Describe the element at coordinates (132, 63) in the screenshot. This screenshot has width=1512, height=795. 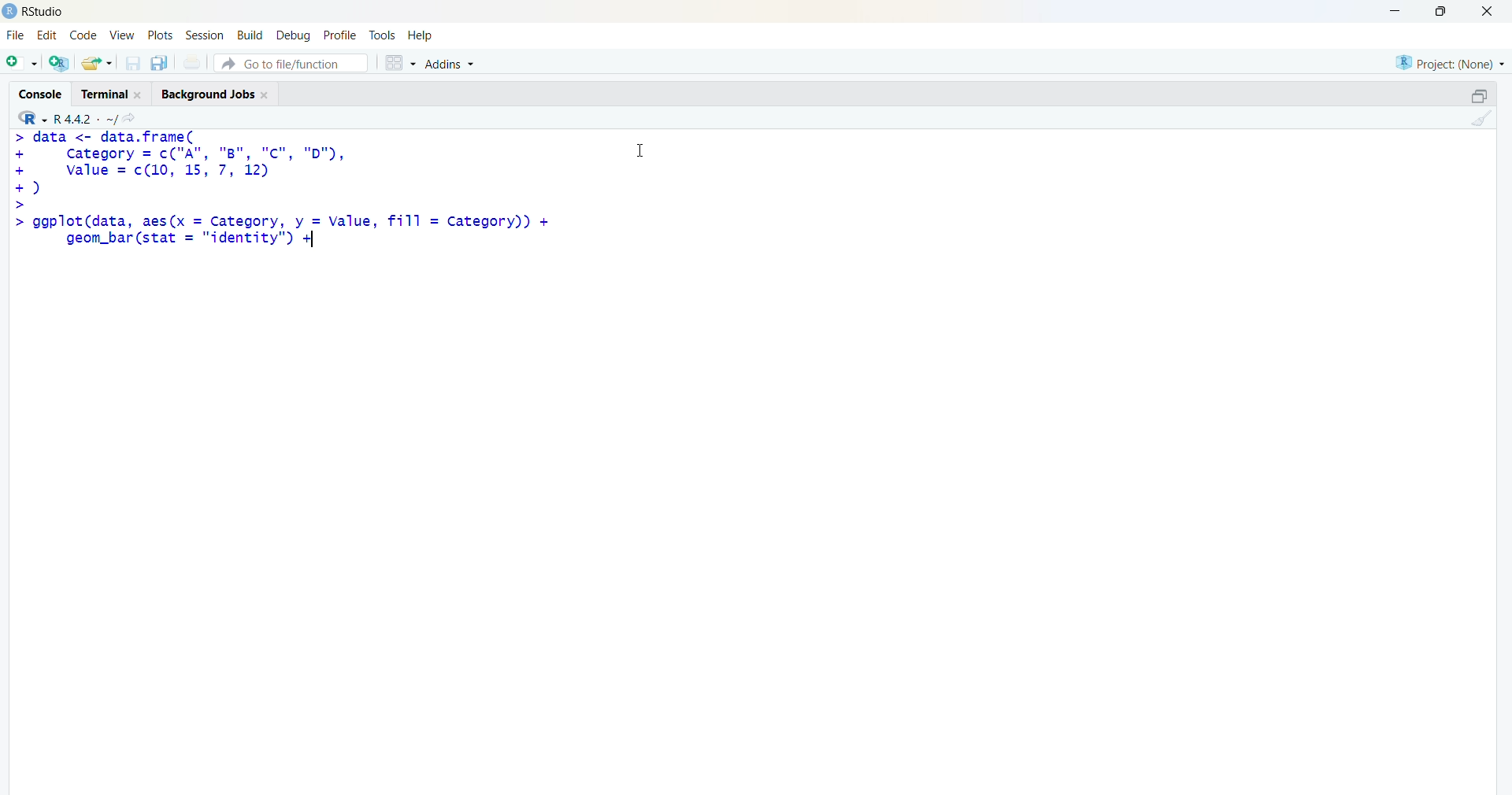
I see `save current document` at that location.